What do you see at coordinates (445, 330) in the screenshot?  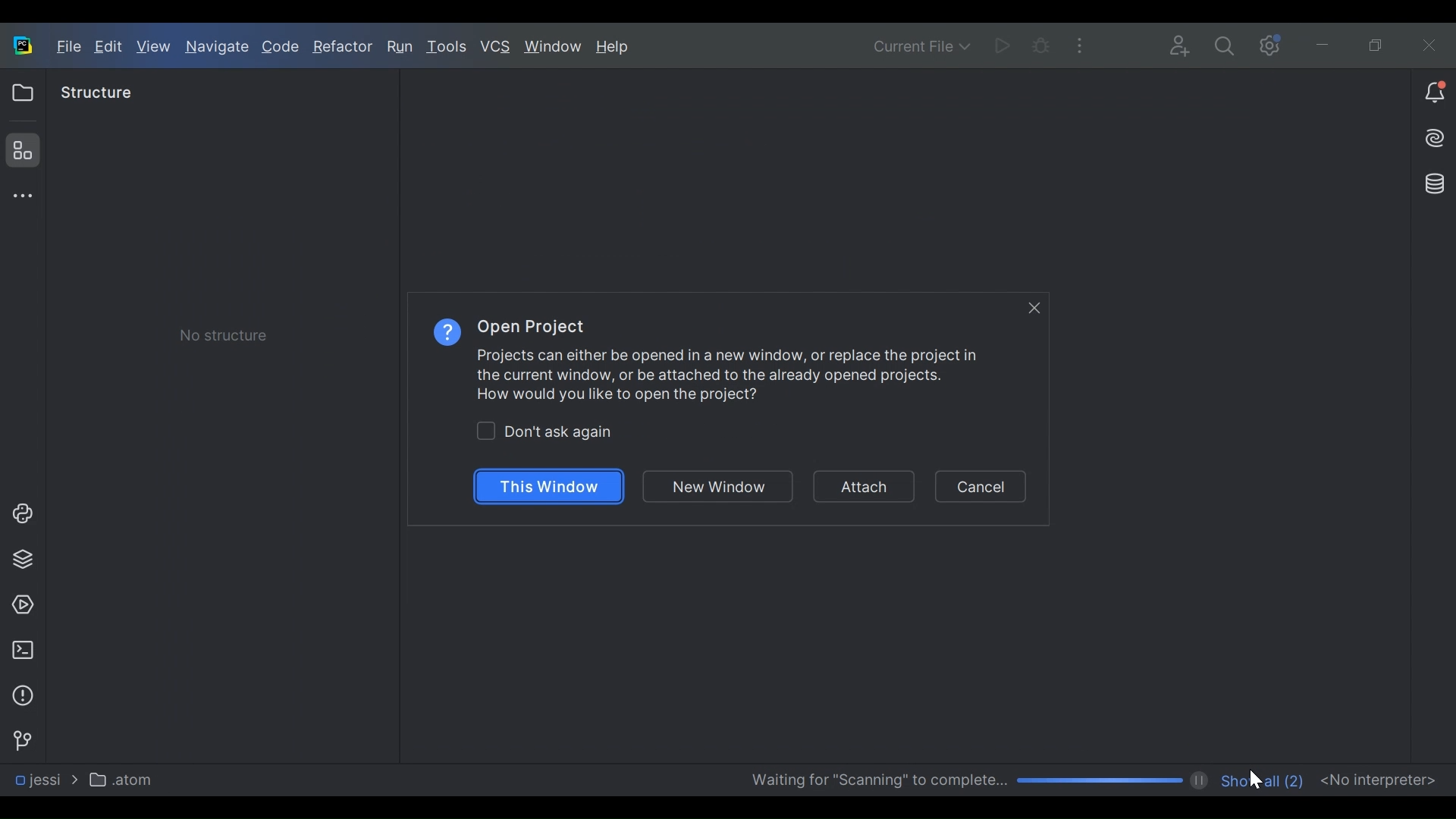 I see `Help` at bounding box center [445, 330].